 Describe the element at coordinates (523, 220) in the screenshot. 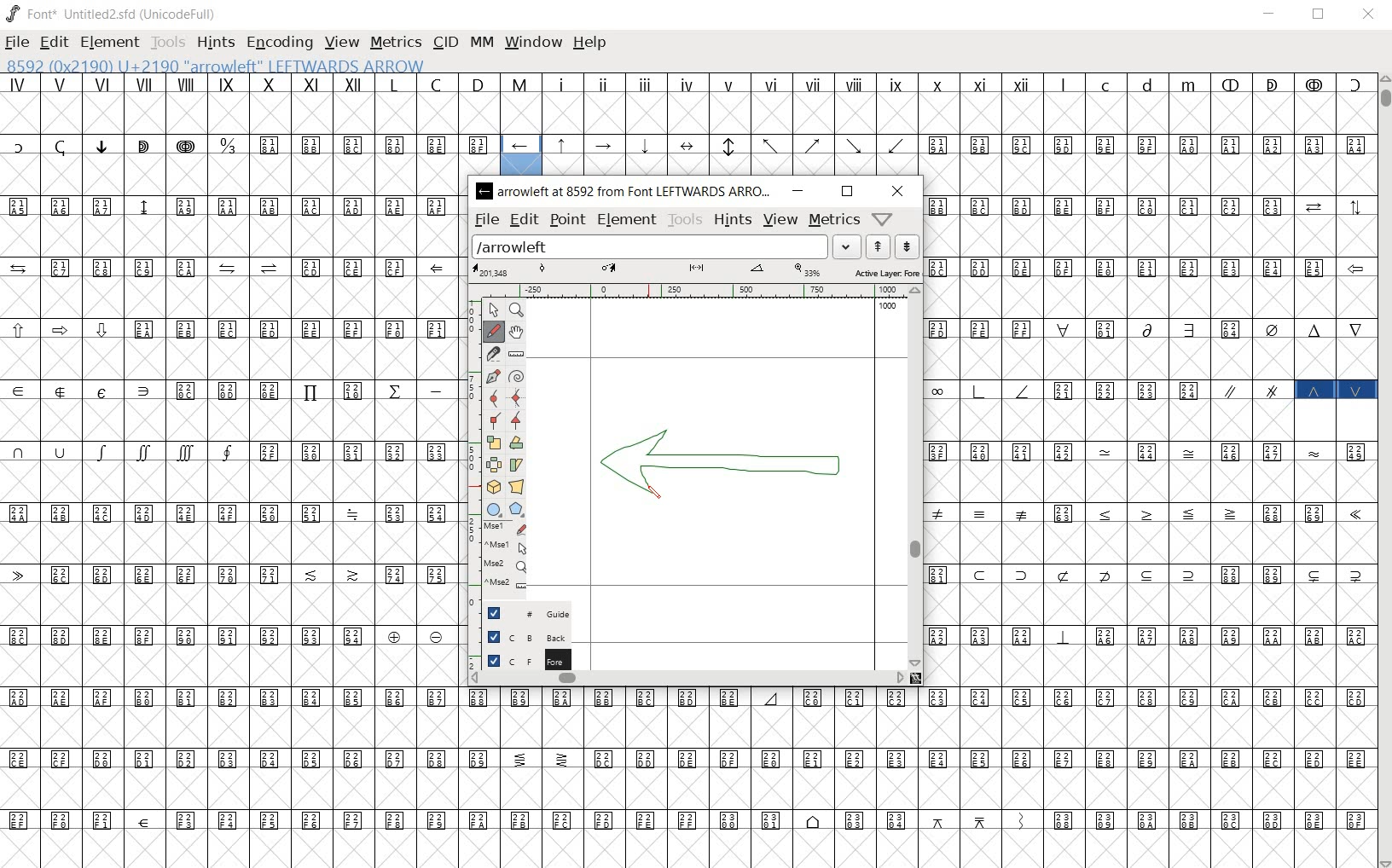

I see `edit` at that location.